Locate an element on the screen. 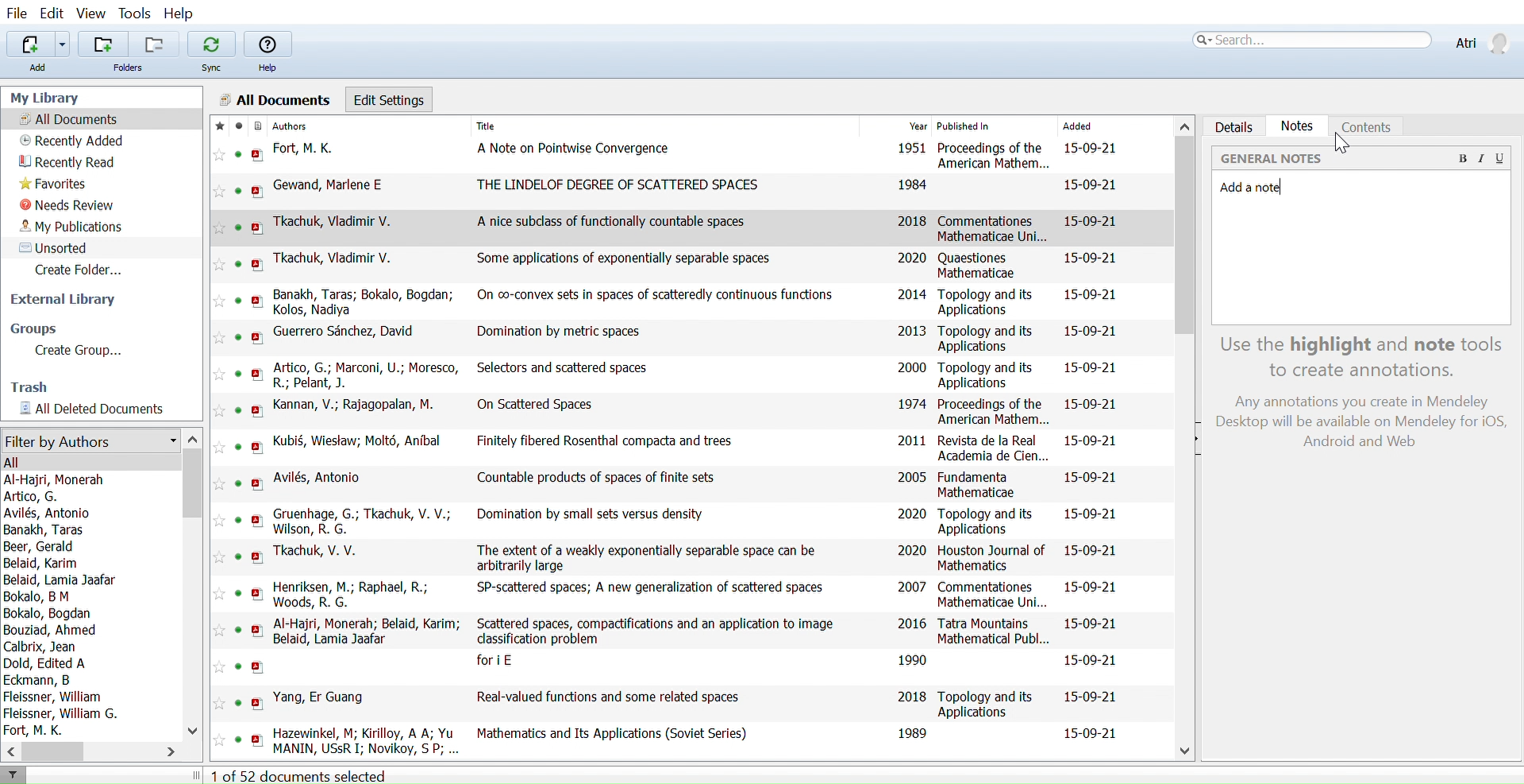  Finitely fibered Rosenthal compacta and trees is located at coordinates (606, 441).